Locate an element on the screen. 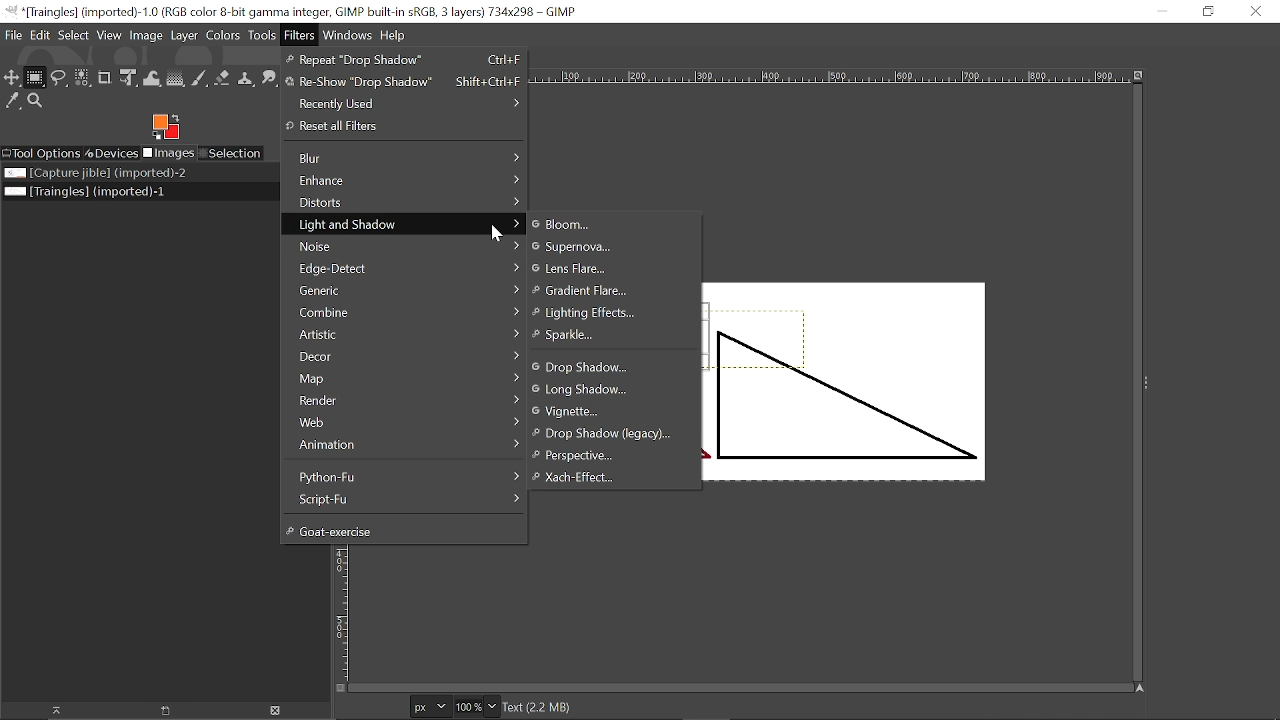  Cursor is located at coordinates (495, 235).